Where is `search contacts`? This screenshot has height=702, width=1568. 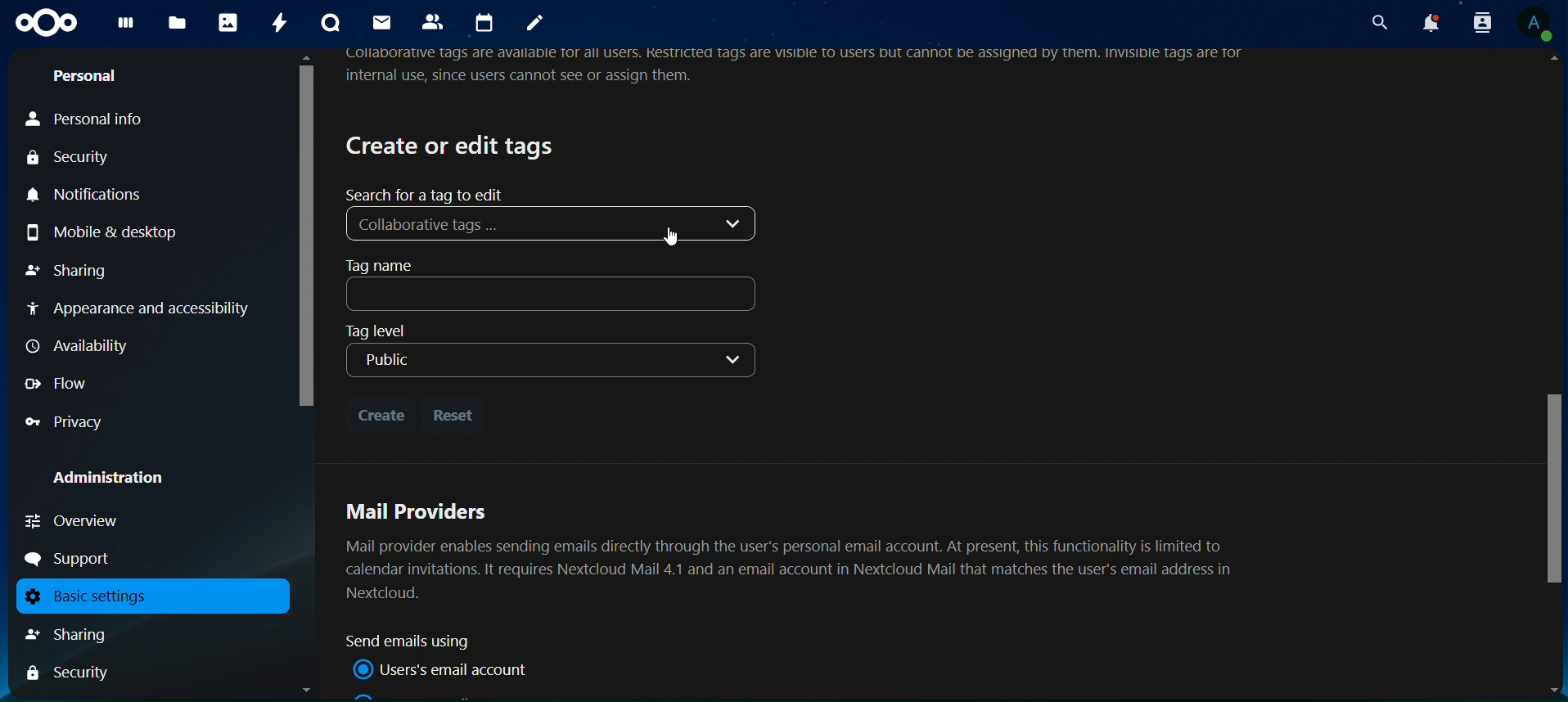
search contacts is located at coordinates (1476, 22).